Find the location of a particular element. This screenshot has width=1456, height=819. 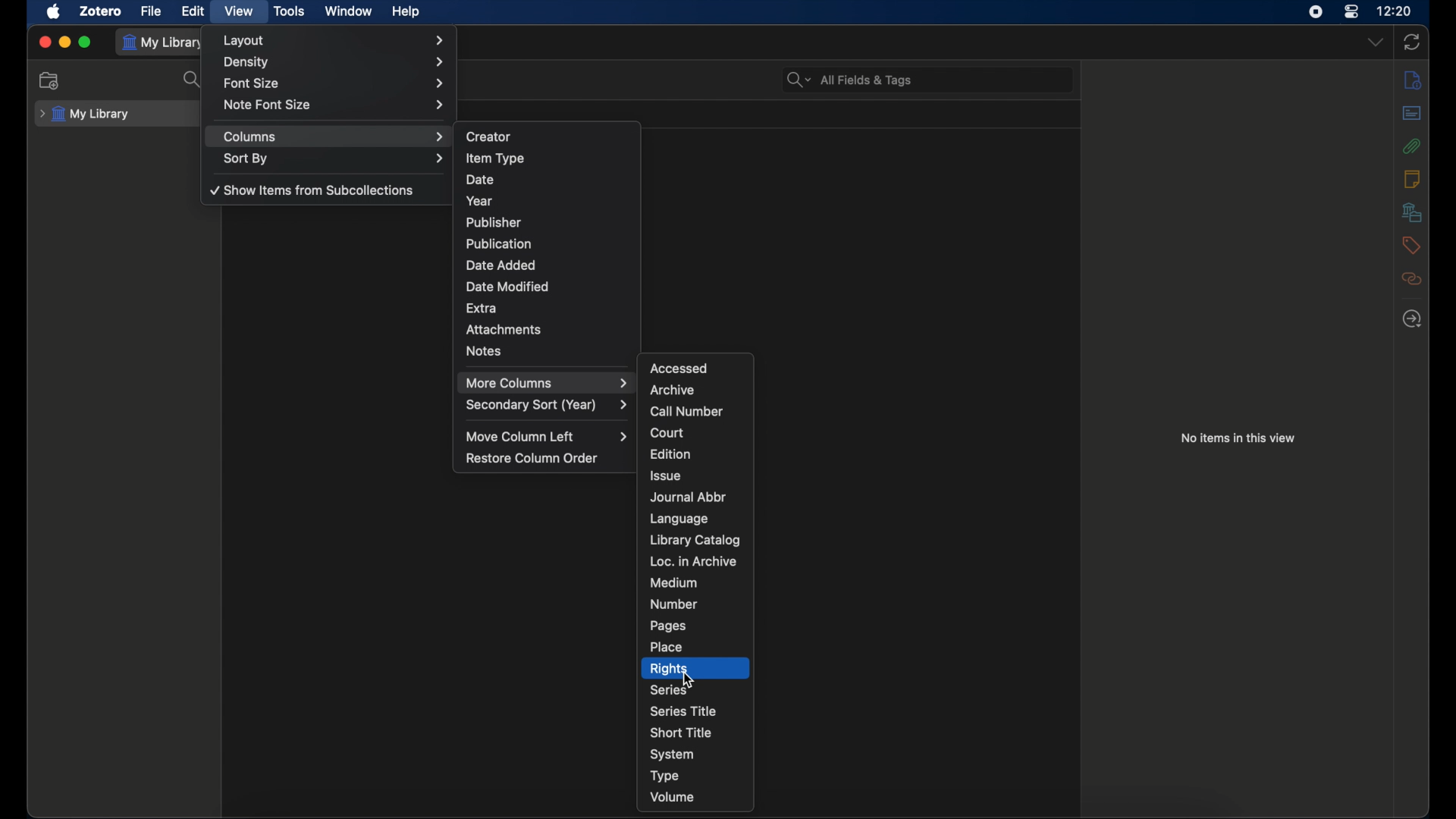

sort by is located at coordinates (334, 158).